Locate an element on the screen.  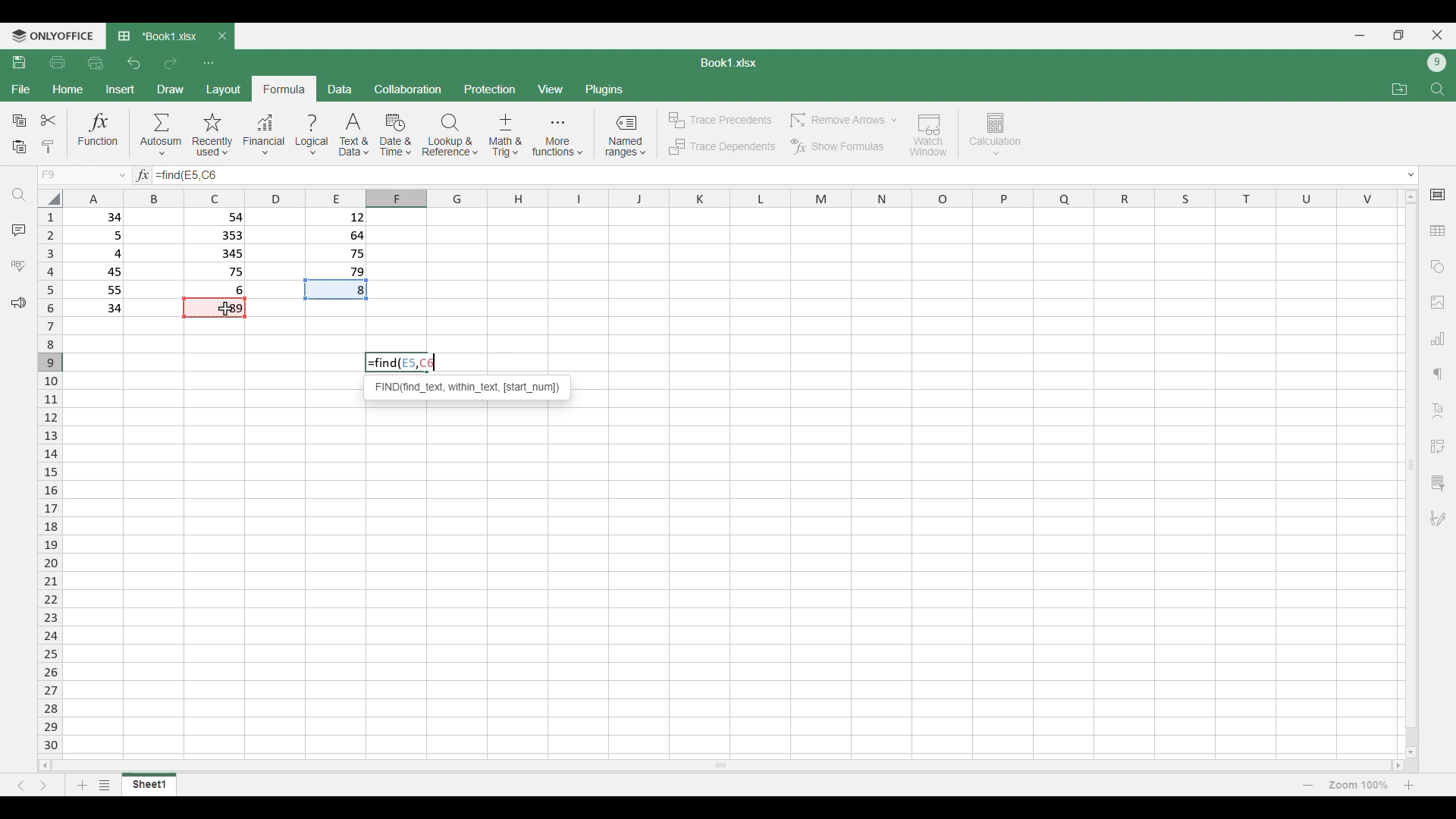
Current account is located at coordinates (1437, 63).